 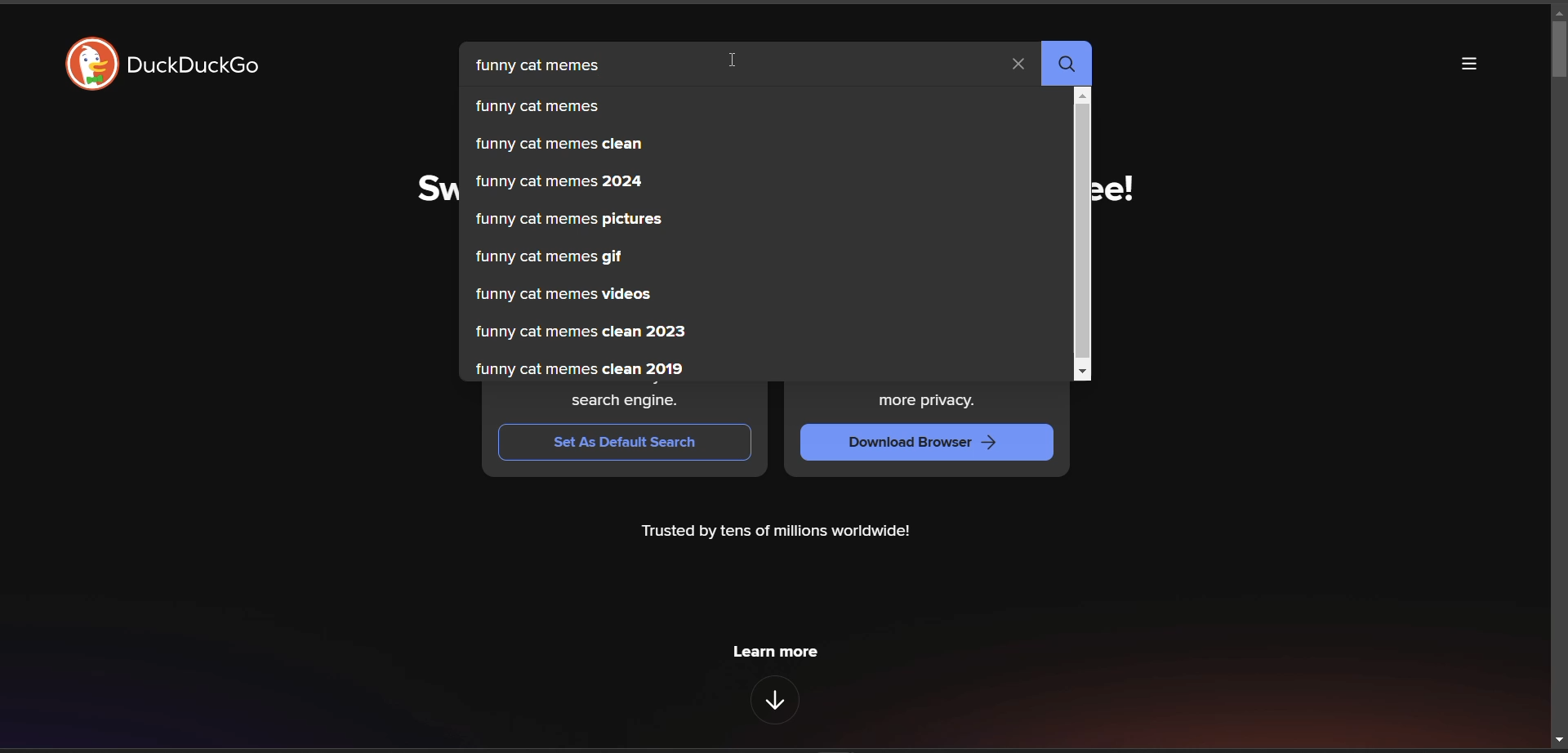 I want to click on logo, so click(x=91, y=64).